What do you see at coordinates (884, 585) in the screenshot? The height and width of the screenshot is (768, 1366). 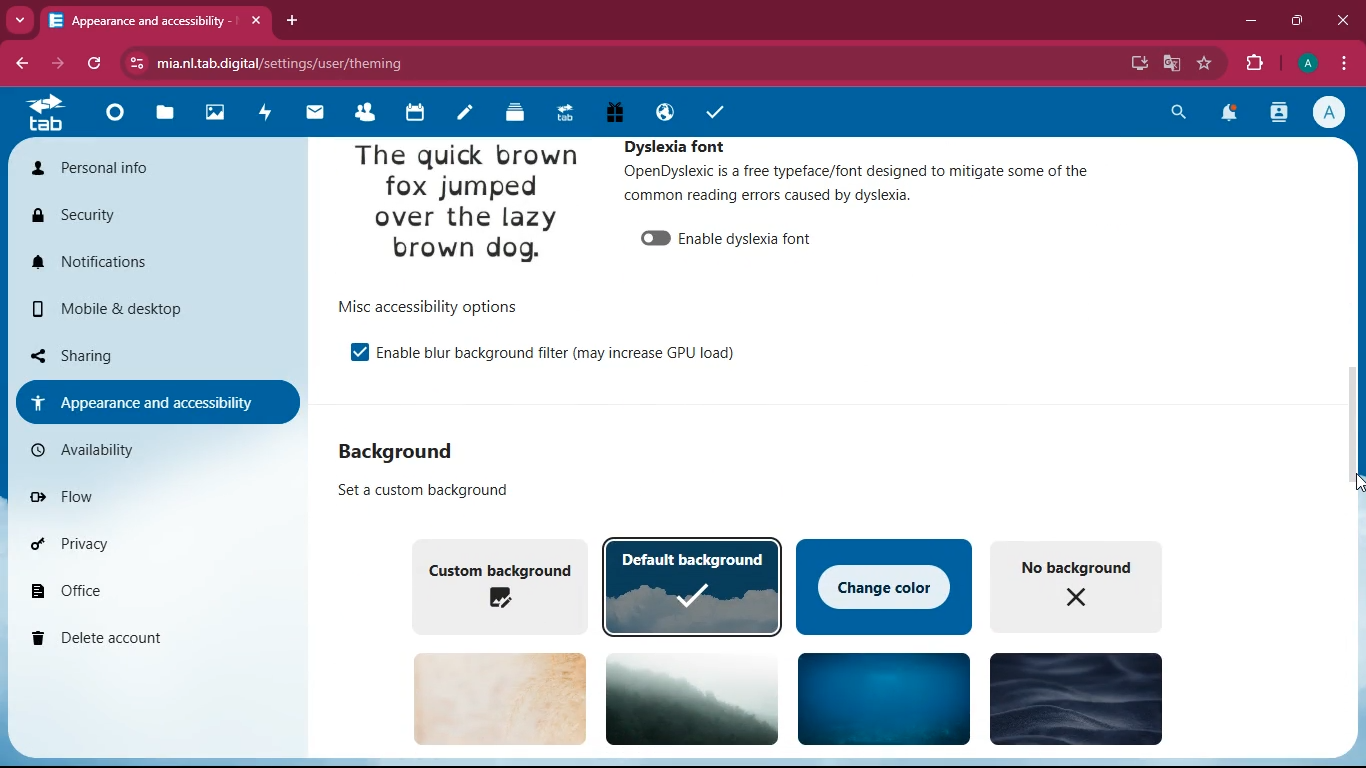 I see `change color` at bounding box center [884, 585].